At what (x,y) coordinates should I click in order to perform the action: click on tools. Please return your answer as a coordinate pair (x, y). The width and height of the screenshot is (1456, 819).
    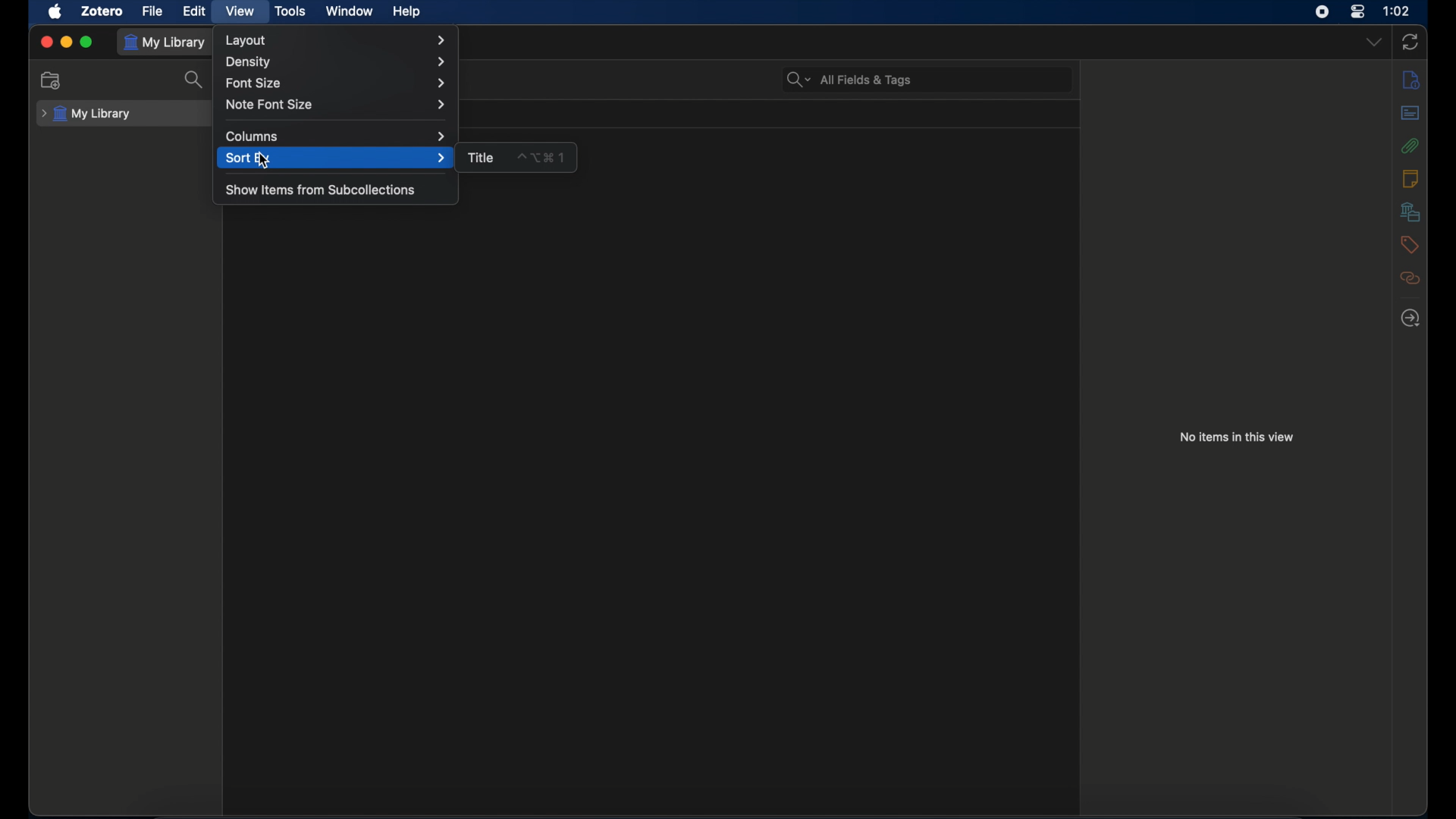
    Looking at the image, I should click on (290, 11).